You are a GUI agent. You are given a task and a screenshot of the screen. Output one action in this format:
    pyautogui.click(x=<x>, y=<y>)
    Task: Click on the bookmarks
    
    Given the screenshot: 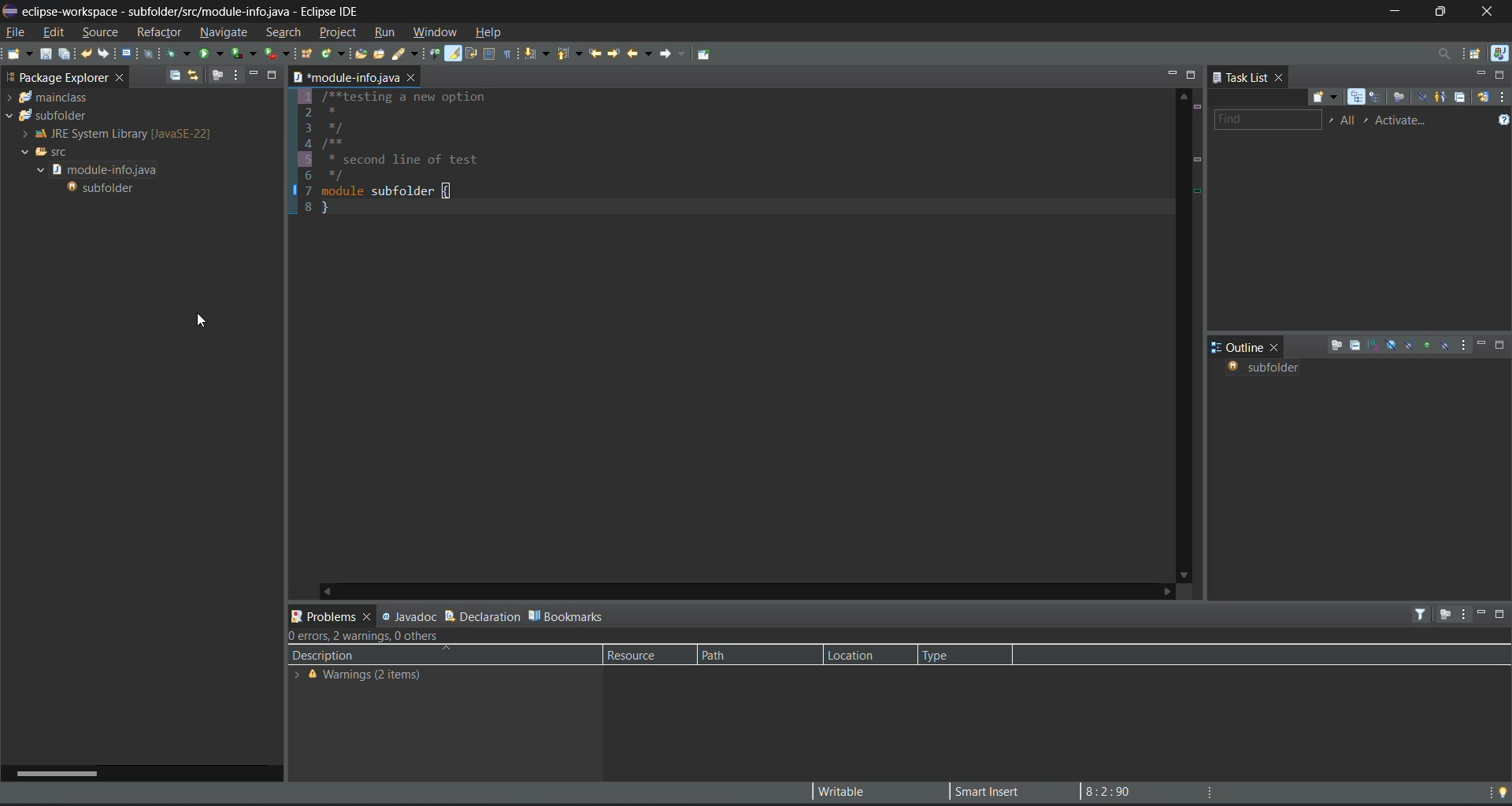 What is the action you would take?
    pyautogui.click(x=568, y=615)
    